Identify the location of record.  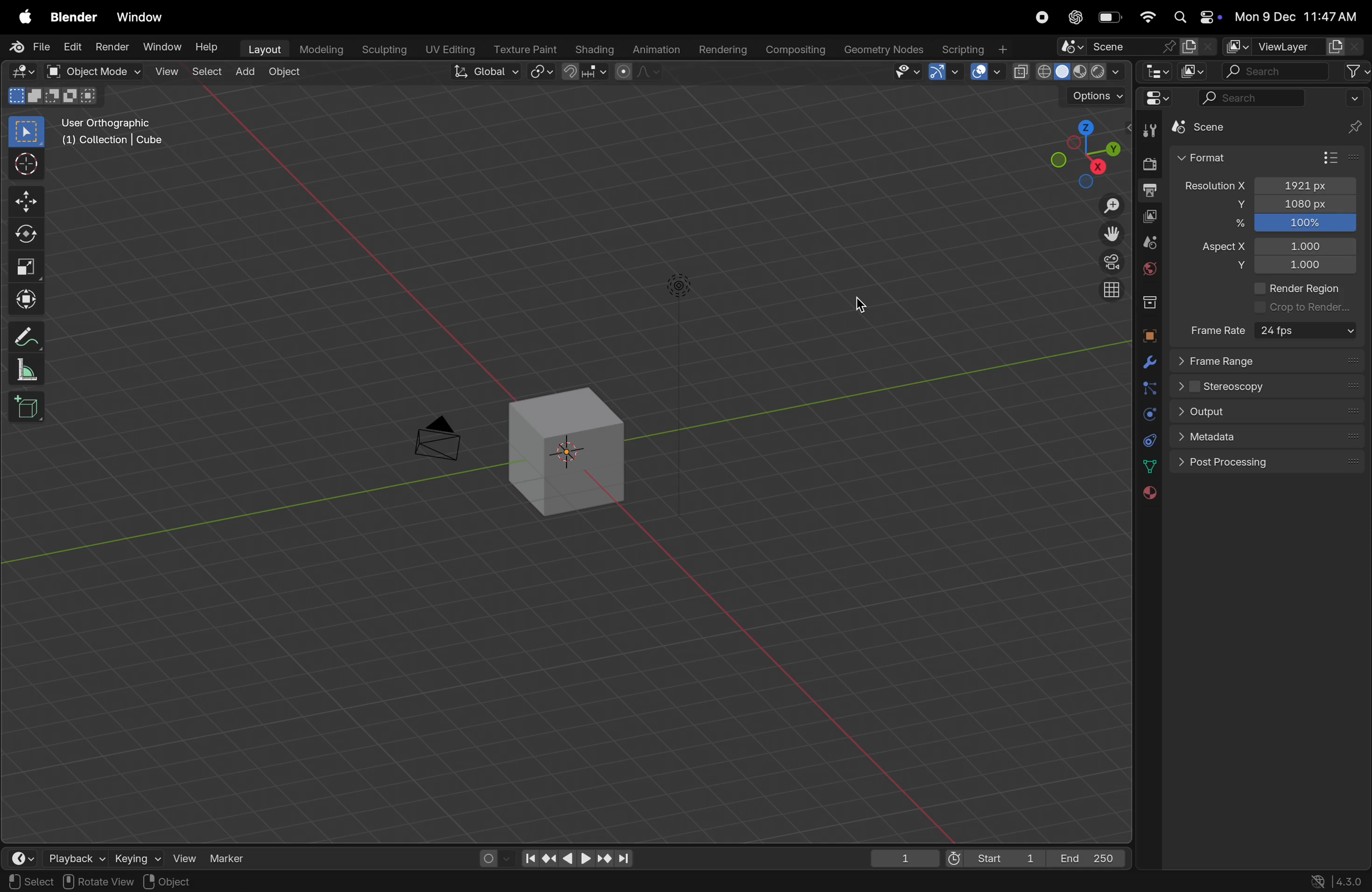
(1043, 18).